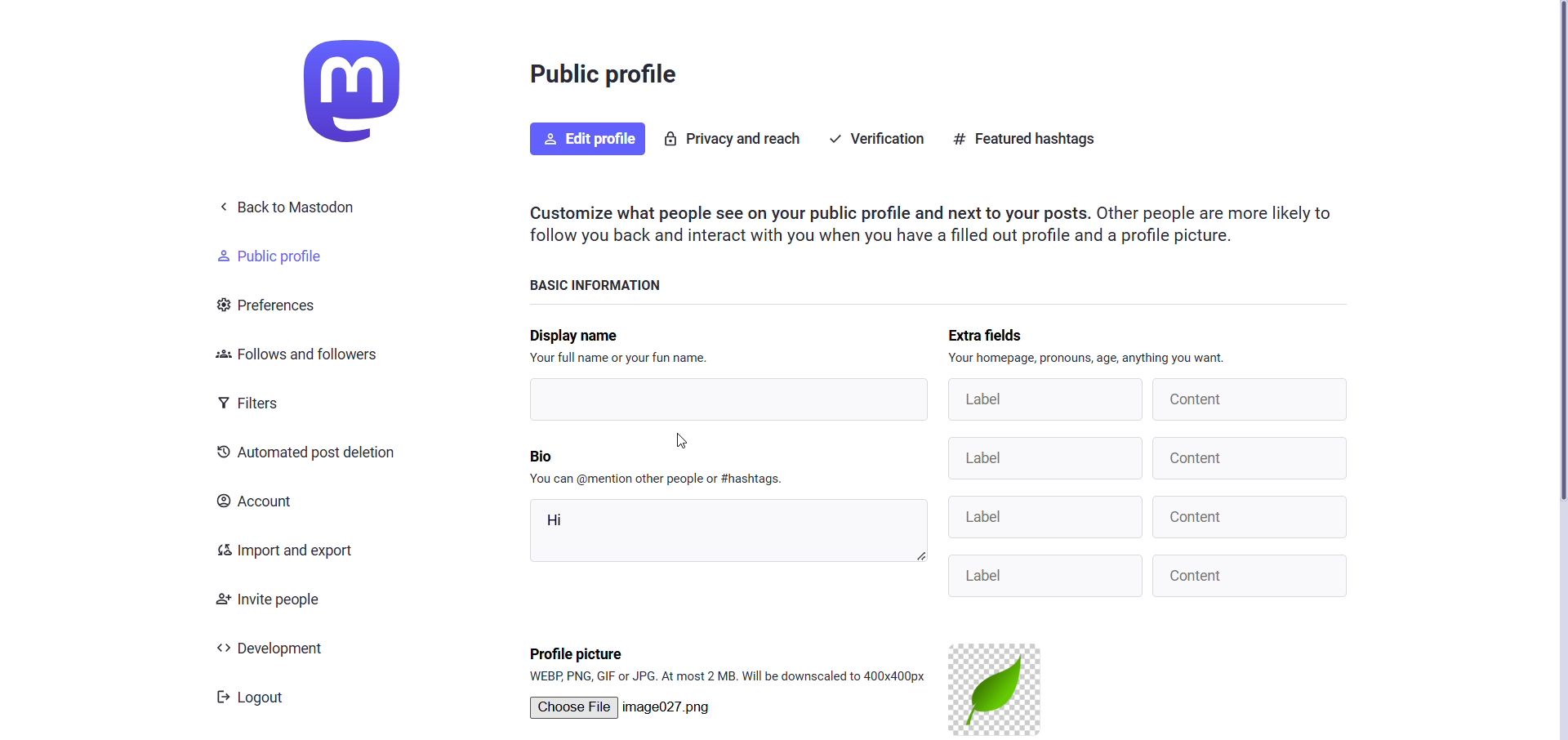 The image size is (1568, 740). What do you see at coordinates (273, 647) in the screenshot?
I see `development` at bounding box center [273, 647].